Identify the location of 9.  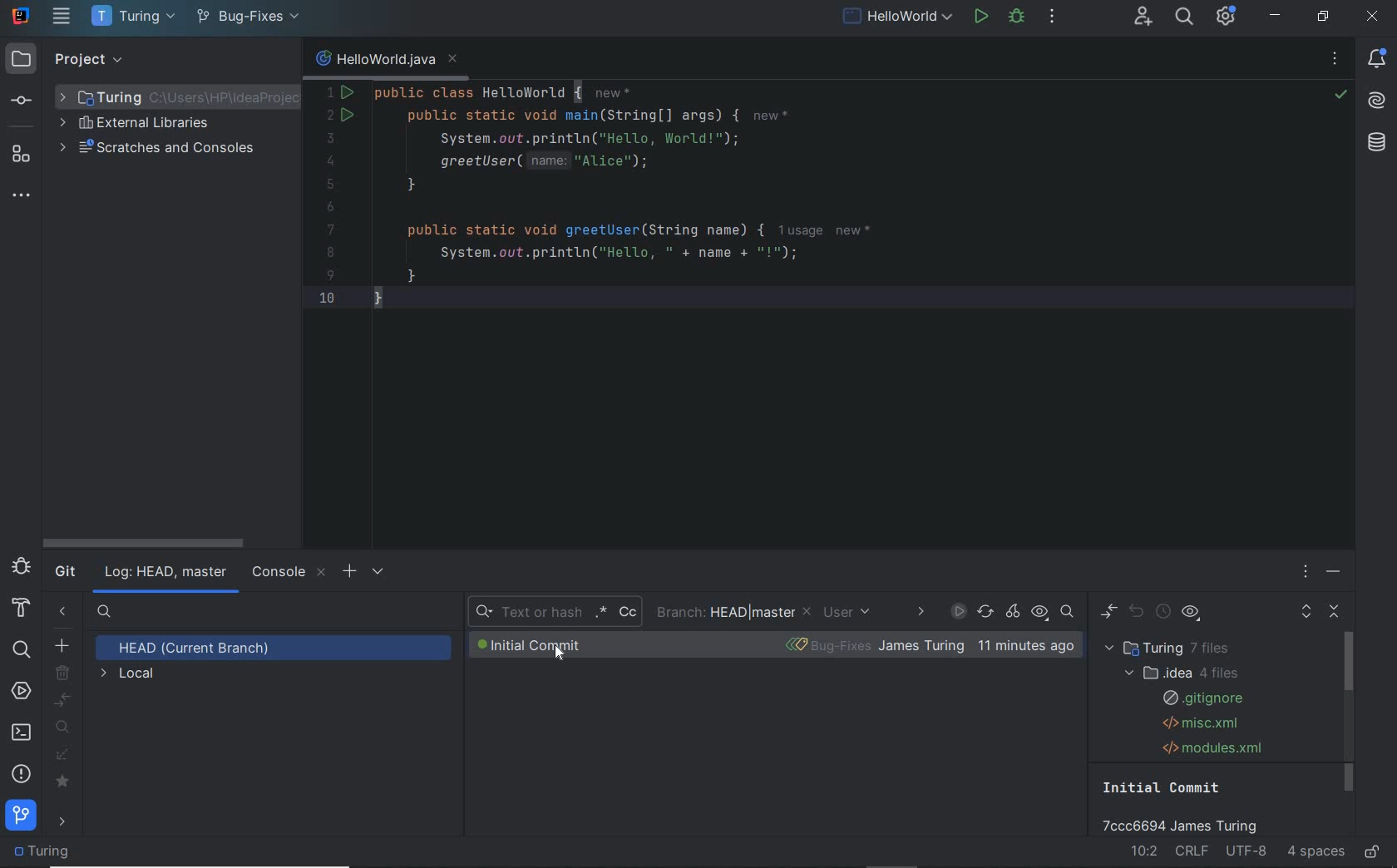
(330, 275).